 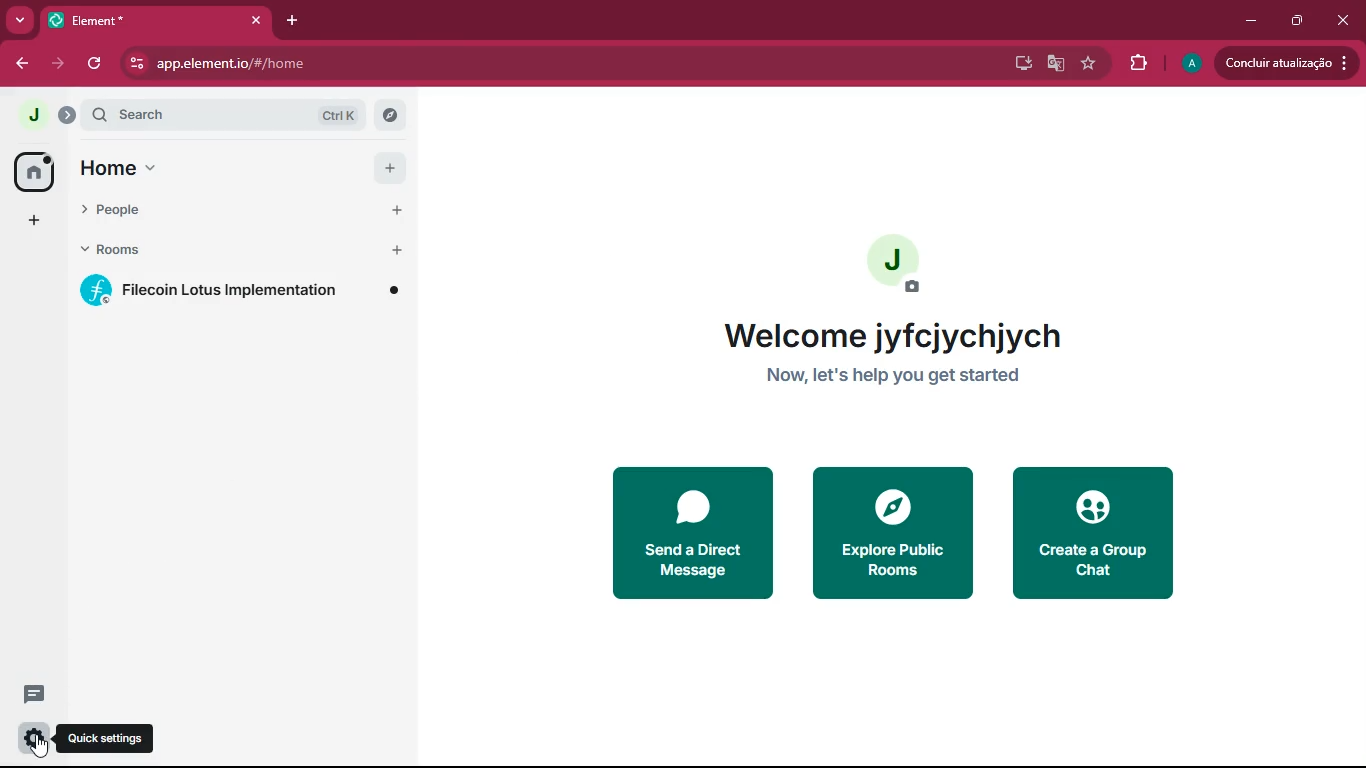 I want to click on url, so click(x=353, y=64).